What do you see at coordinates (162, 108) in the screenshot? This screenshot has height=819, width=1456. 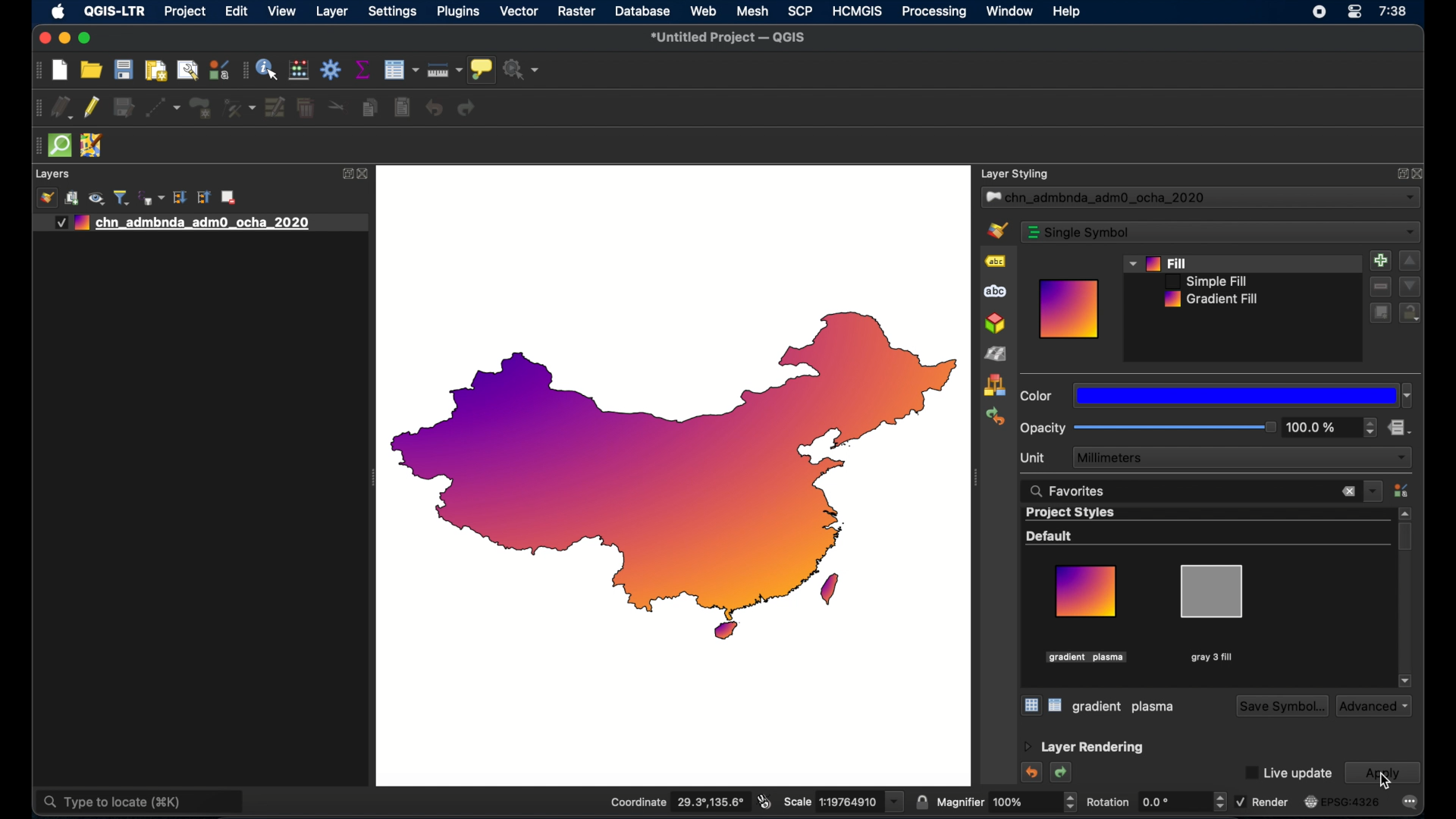 I see `digitize with segment` at bounding box center [162, 108].